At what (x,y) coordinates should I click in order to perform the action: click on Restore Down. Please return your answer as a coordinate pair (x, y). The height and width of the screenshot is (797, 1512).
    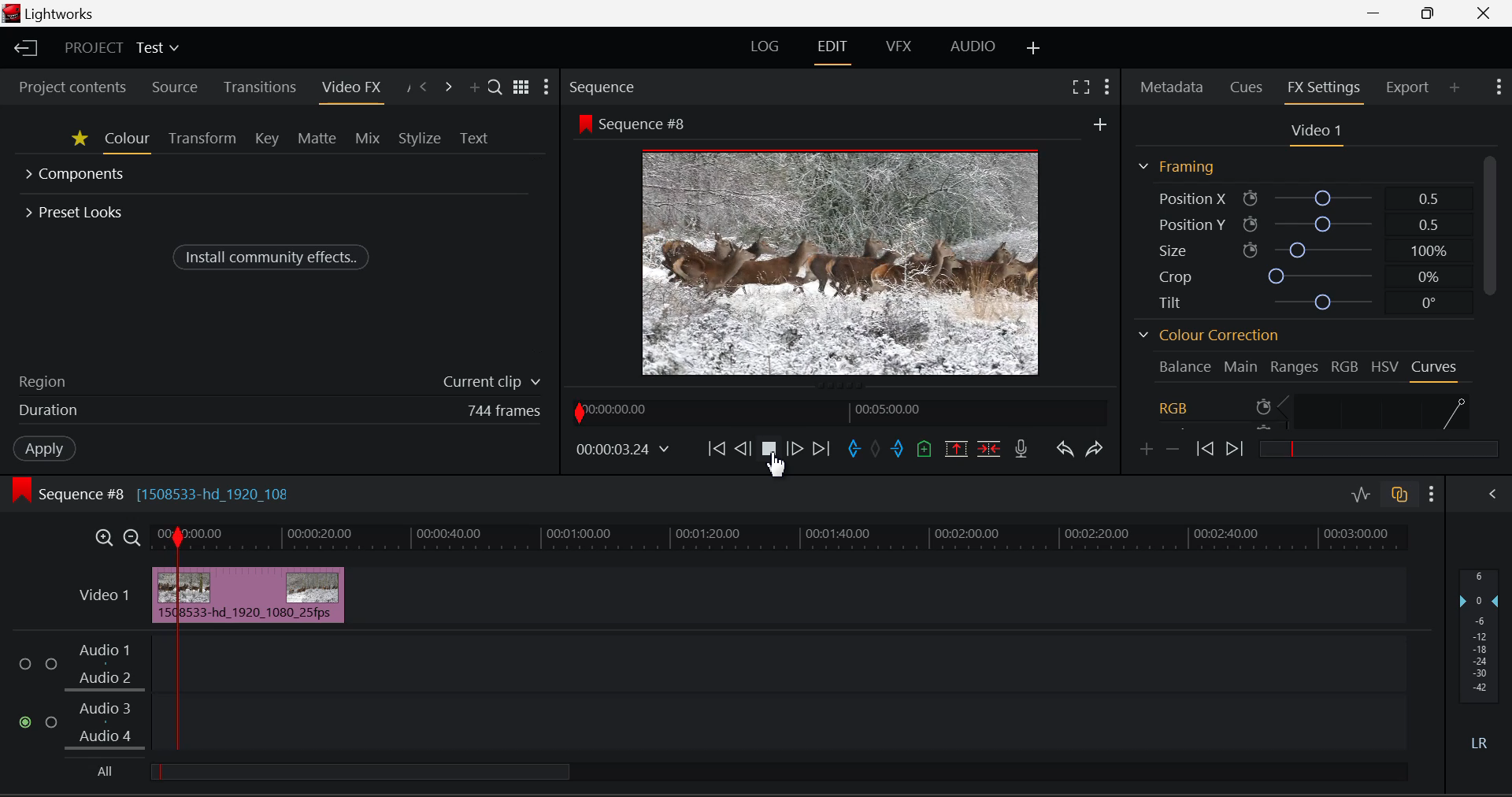
    Looking at the image, I should click on (1376, 13).